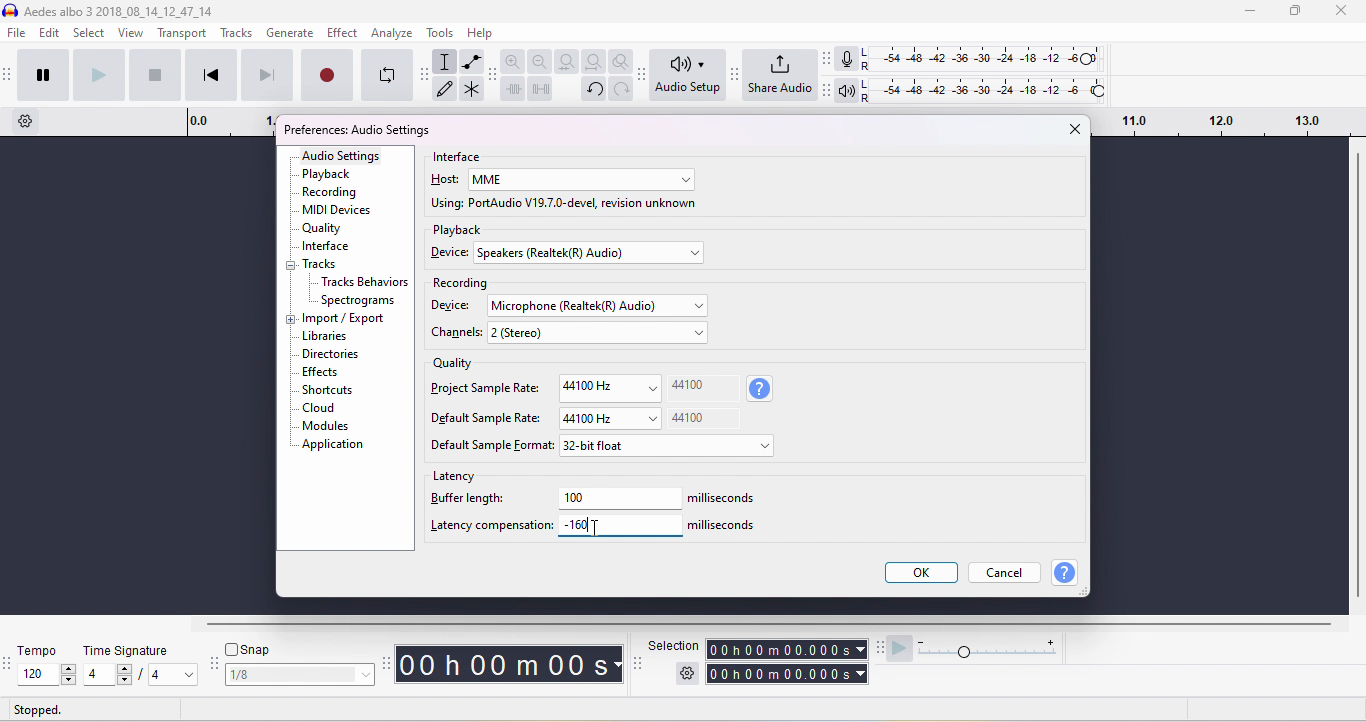  I want to click on play at speed/ play at speed once, so click(900, 650).